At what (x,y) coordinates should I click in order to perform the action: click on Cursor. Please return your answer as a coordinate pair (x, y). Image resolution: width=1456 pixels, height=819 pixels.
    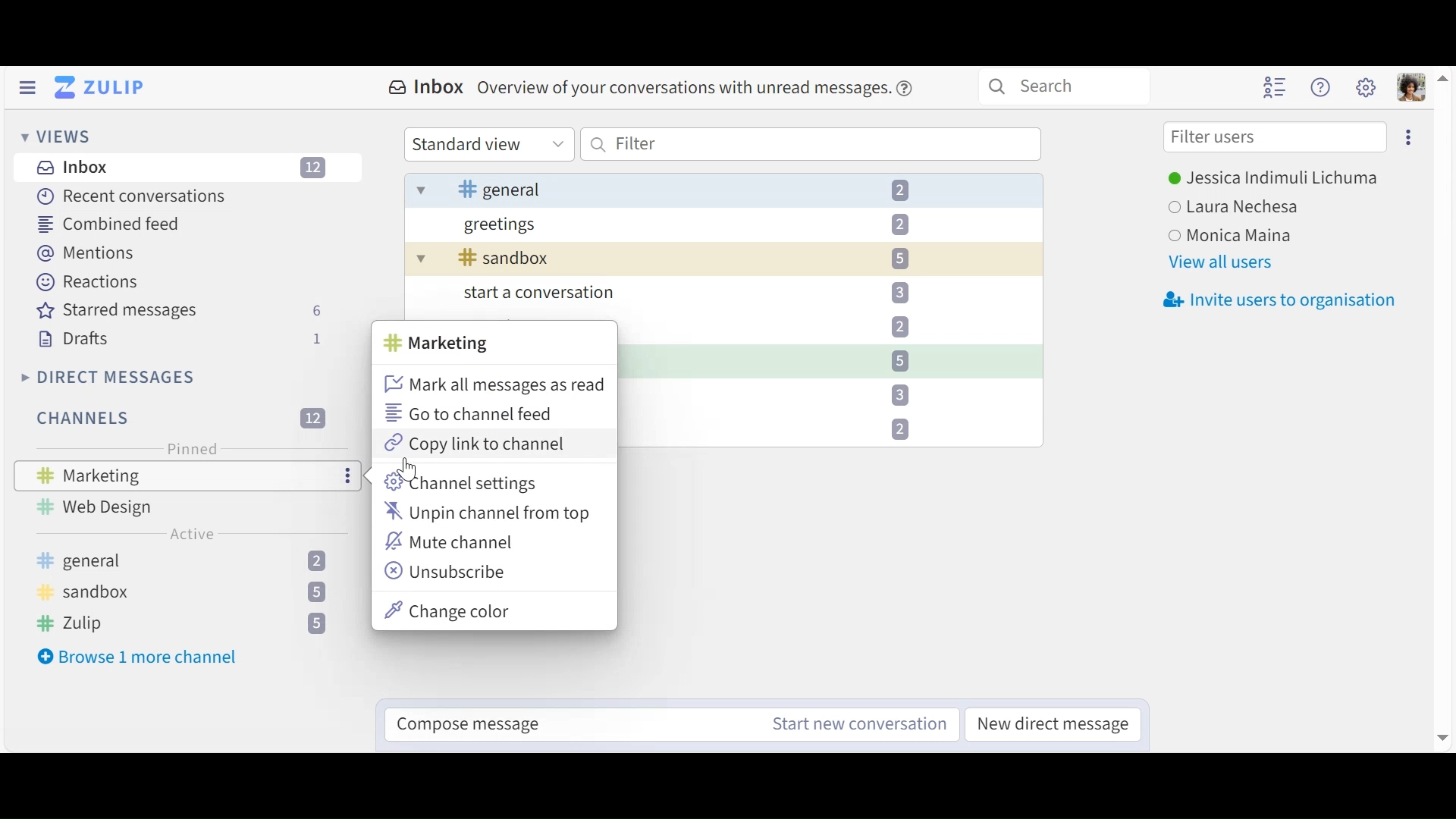
    Looking at the image, I should click on (409, 468).